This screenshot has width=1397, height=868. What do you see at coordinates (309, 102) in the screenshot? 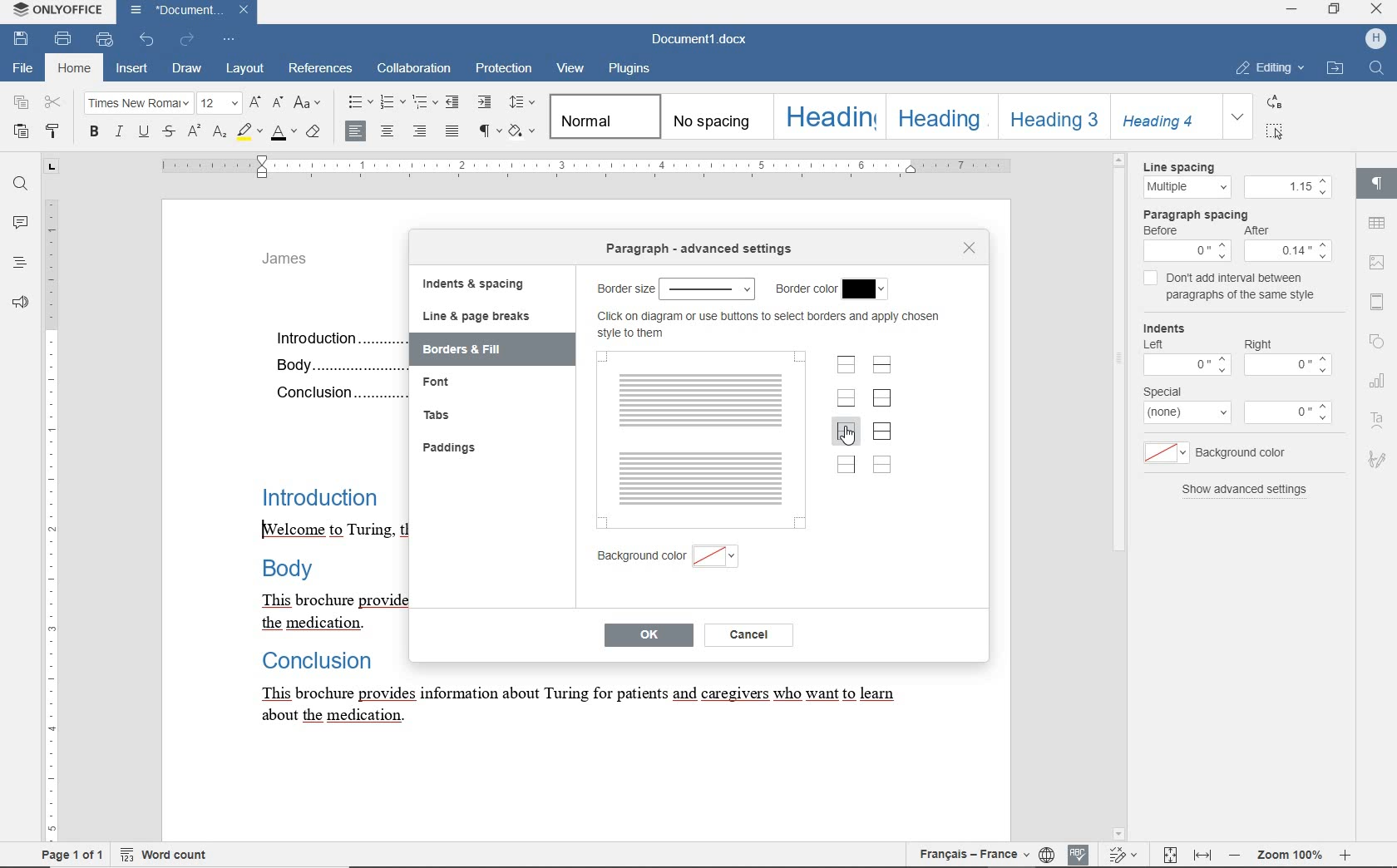
I see `change case` at bounding box center [309, 102].